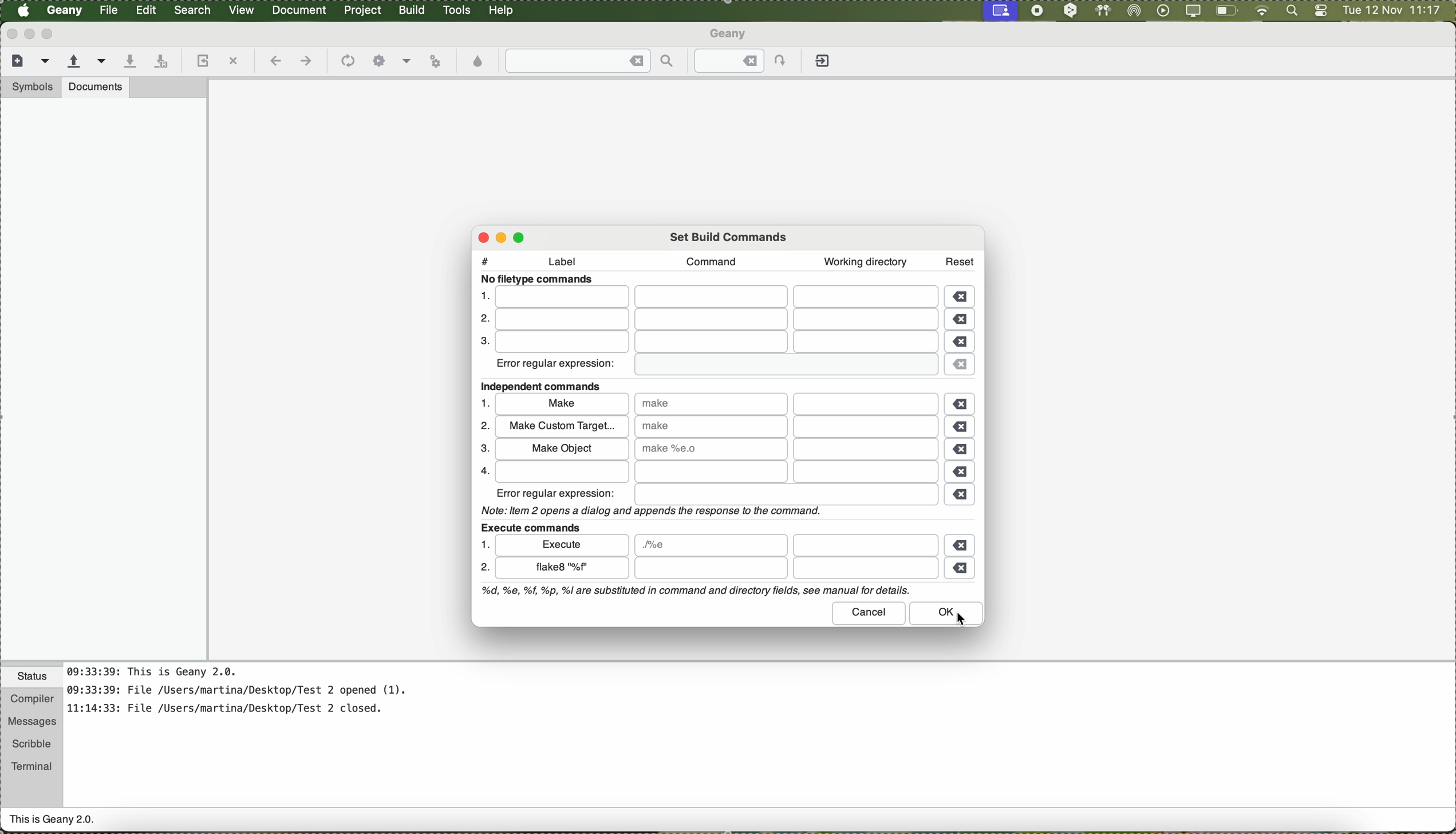 This screenshot has height=834, width=1456. Describe the element at coordinates (482, 470) in the screenshot. I see `4` at that location.